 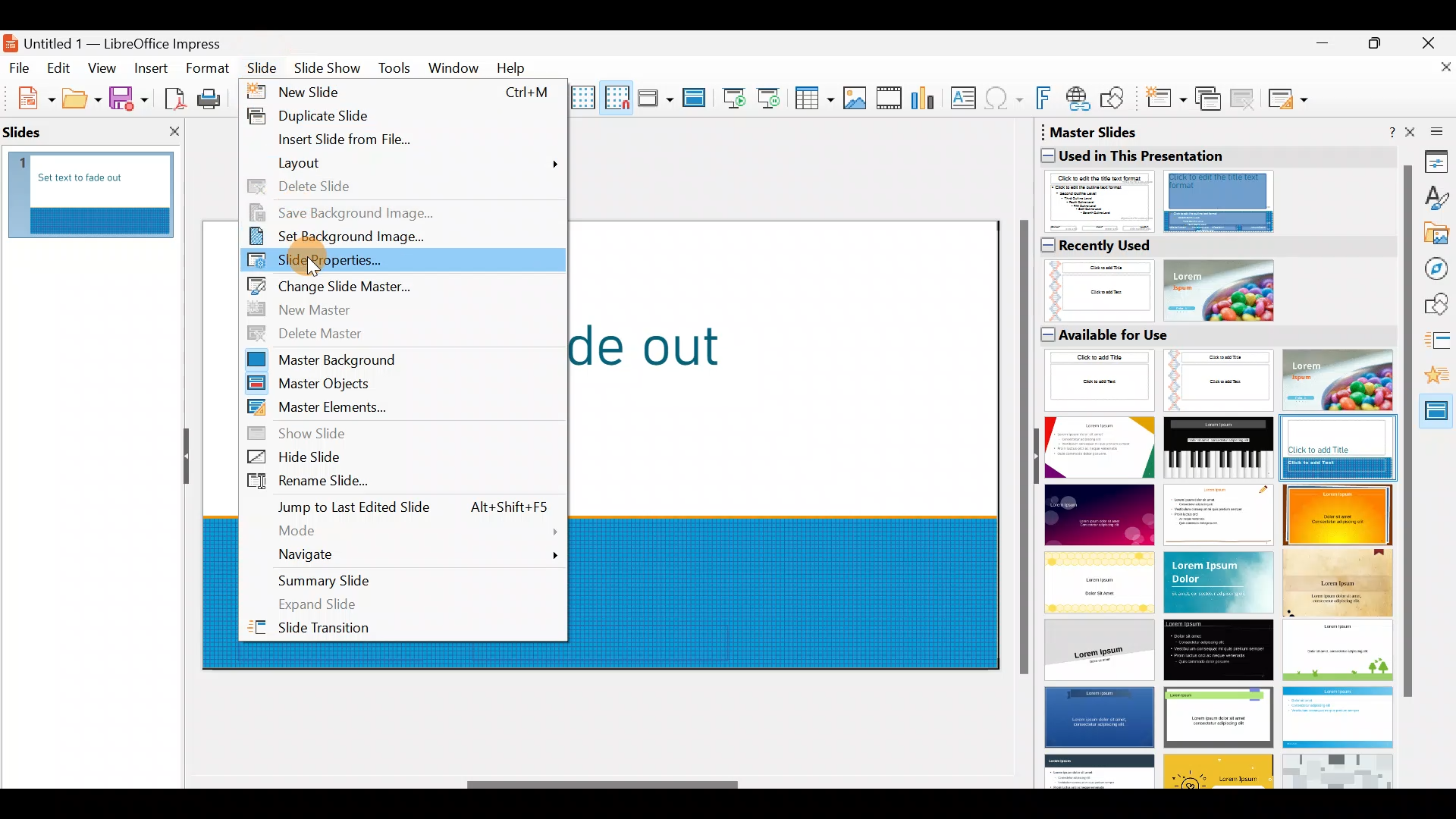 What do you see at coordinates (404, 528) in the screenshot?
I see `Mode` at bounding box center [404, 528].